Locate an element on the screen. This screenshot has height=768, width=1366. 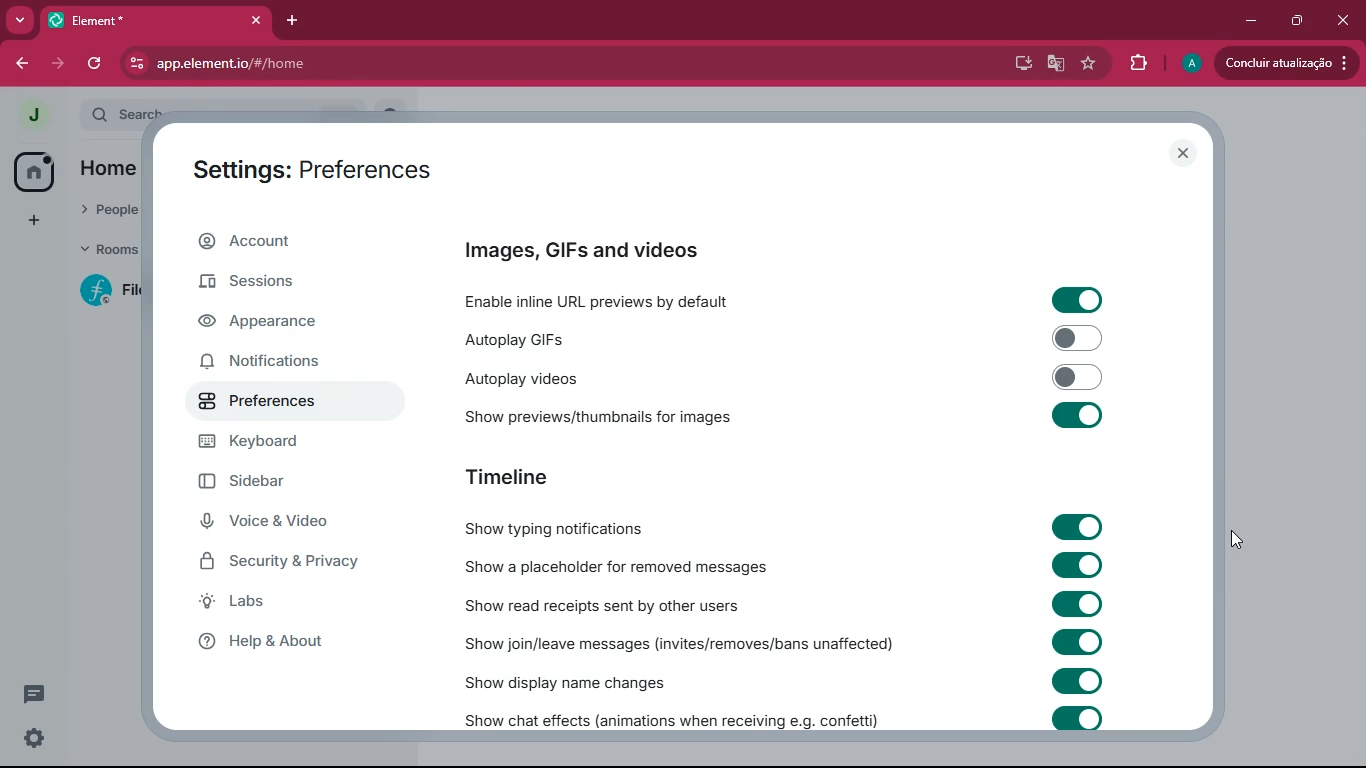
refresh is located at coordinates (96, 64).